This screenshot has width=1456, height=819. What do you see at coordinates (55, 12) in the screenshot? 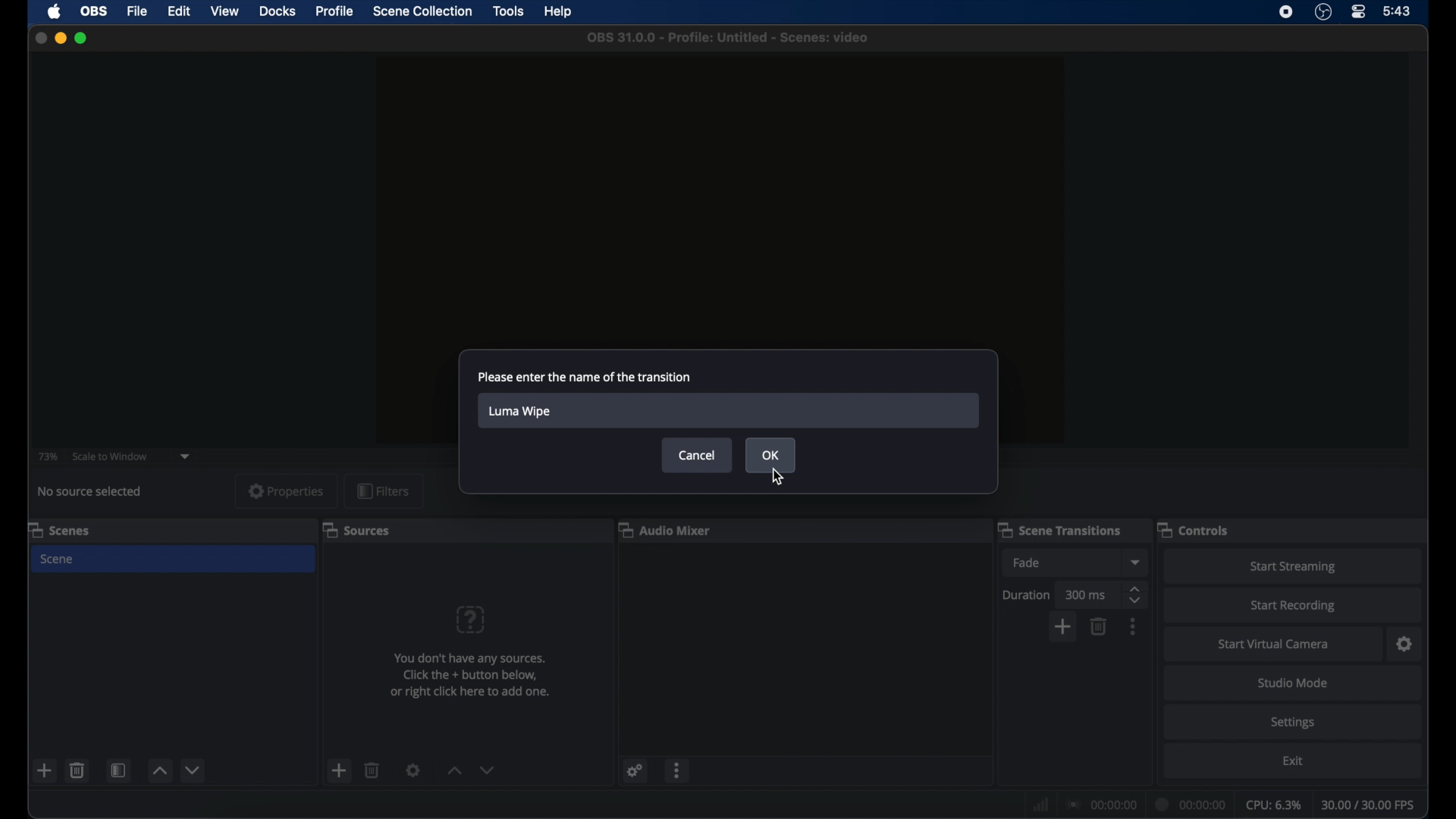
I see `apple icon` at bounding box center [55, 12].